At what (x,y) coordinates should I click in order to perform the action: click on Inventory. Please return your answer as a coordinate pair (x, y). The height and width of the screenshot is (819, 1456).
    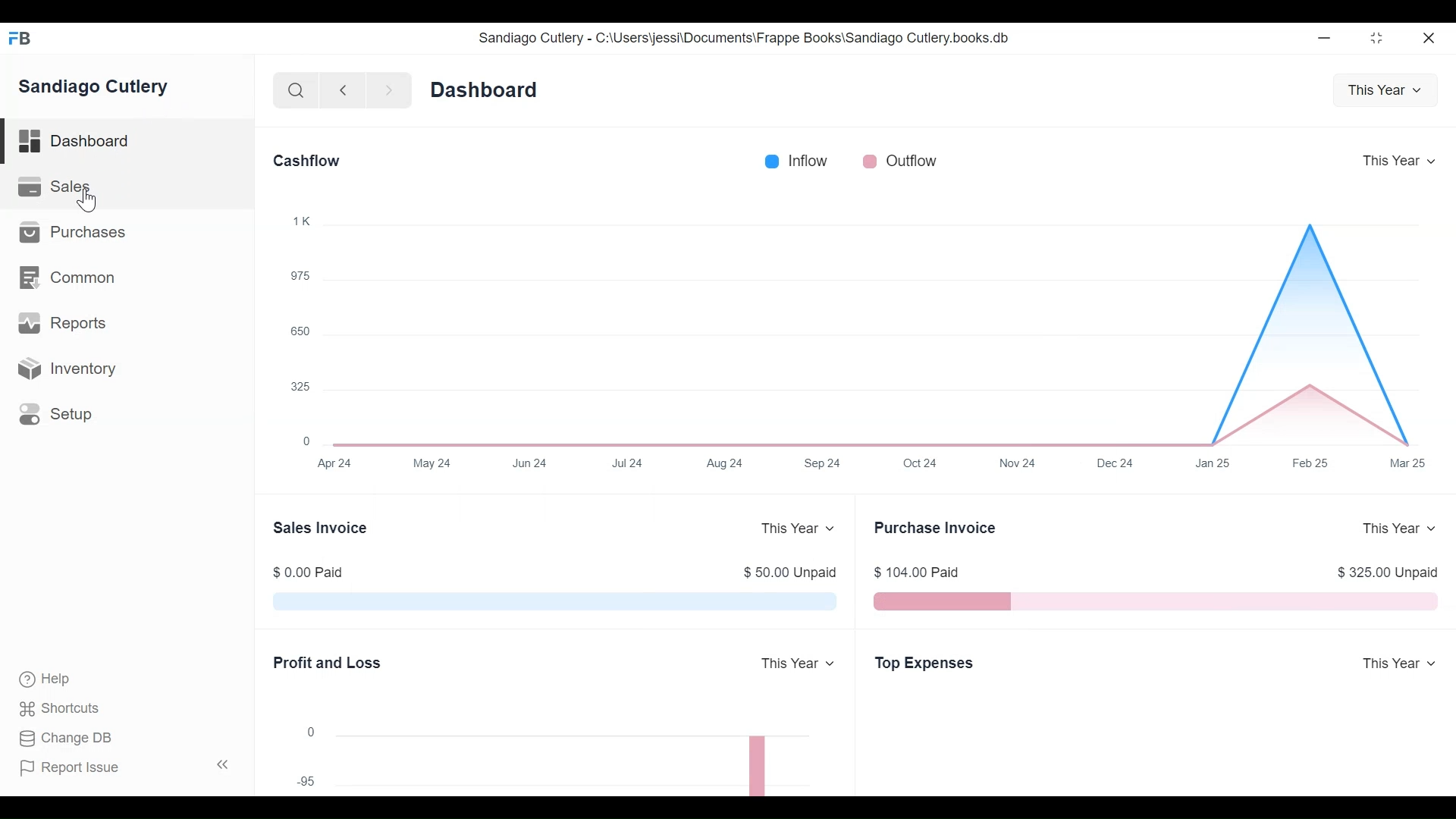
    Looking at the image, I should click on (69, 370).